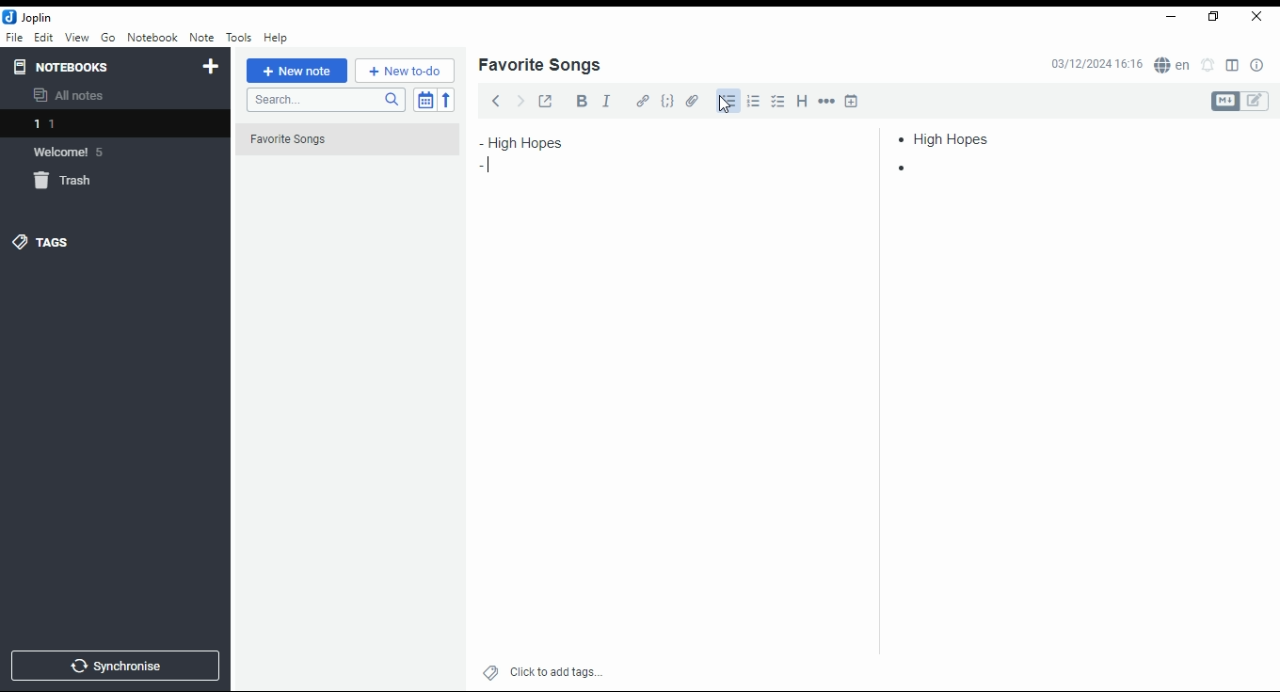  What do you see at coordinates (30, 17) in the screenshot?
I see `icon` at bounding box center [30, 17].